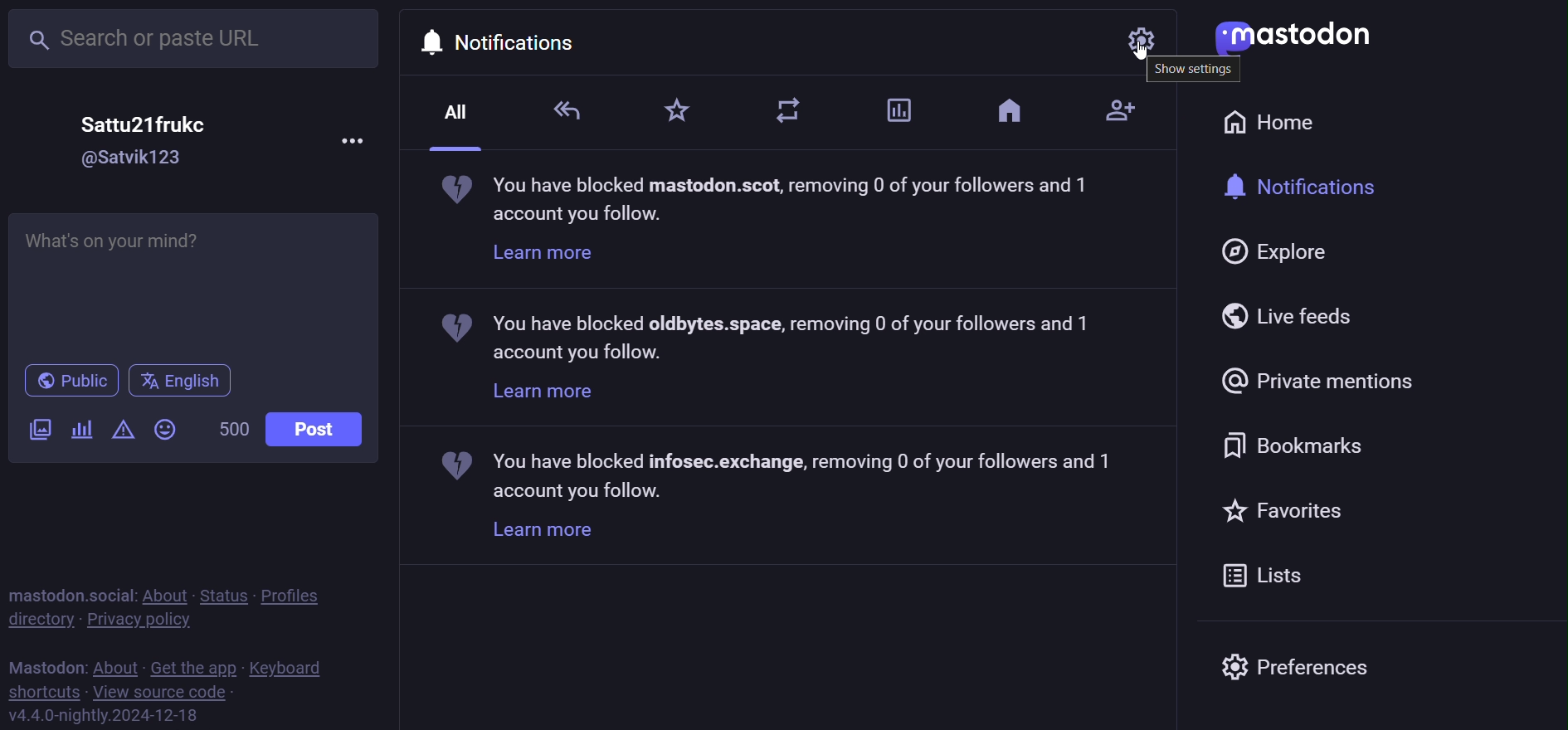 Image resolution: width=1568 pixels, height=730 pixels. I want to click on @Satvik123, so click(138, 158).